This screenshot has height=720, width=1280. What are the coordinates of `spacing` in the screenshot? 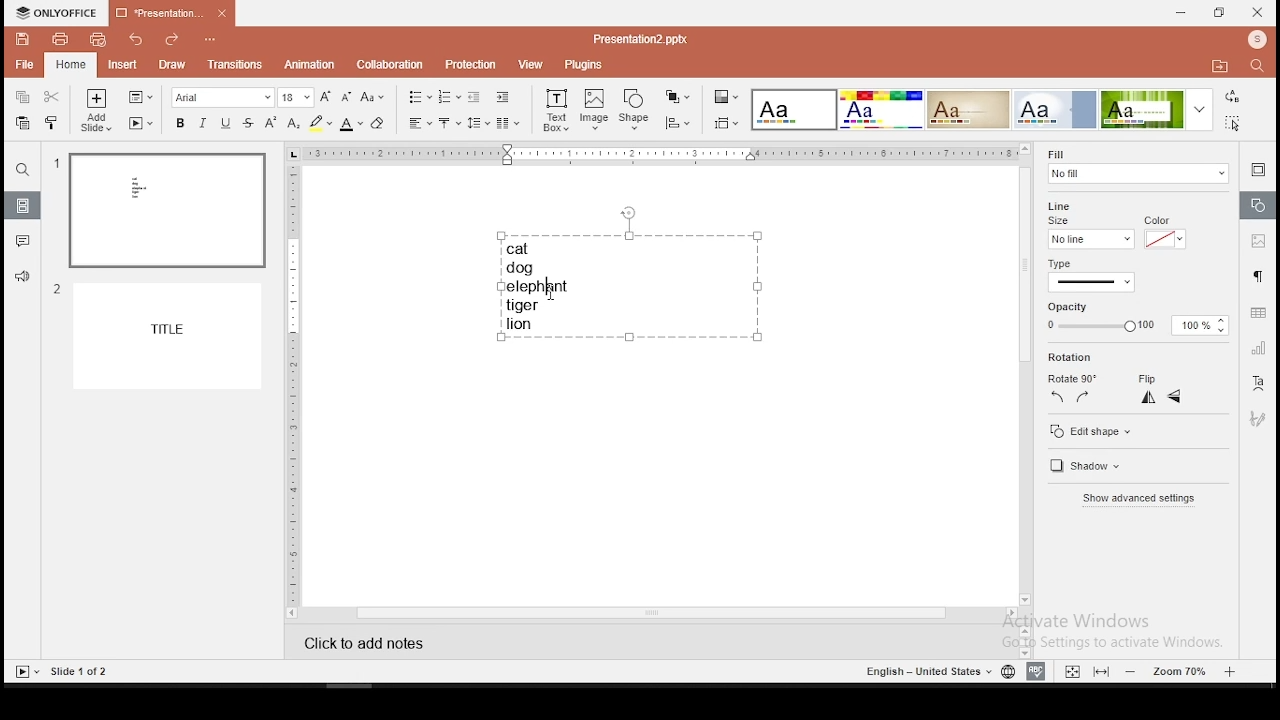 It's located at (478, 123).